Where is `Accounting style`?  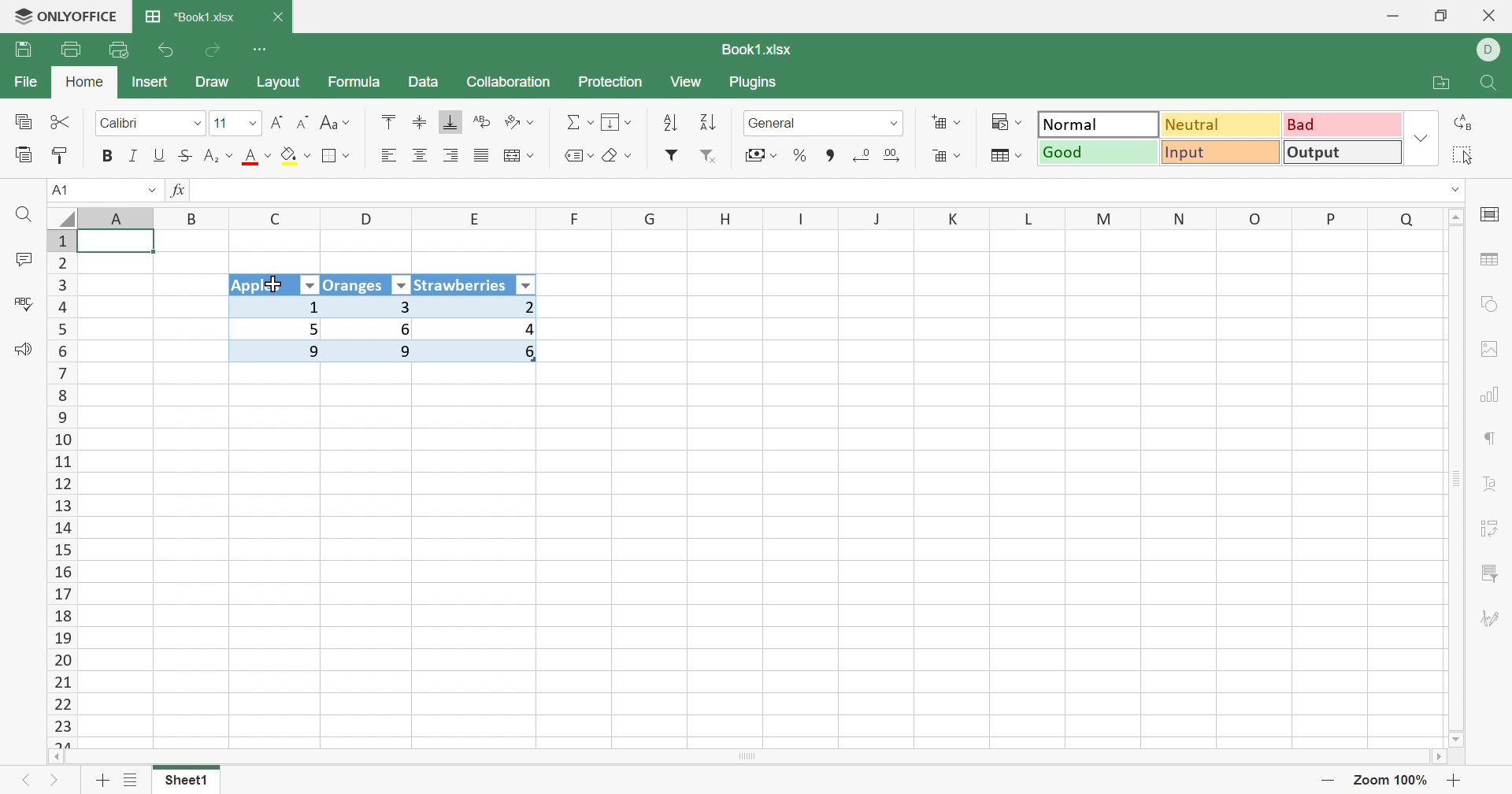
Accounting style is located at coordinates (759, 157).